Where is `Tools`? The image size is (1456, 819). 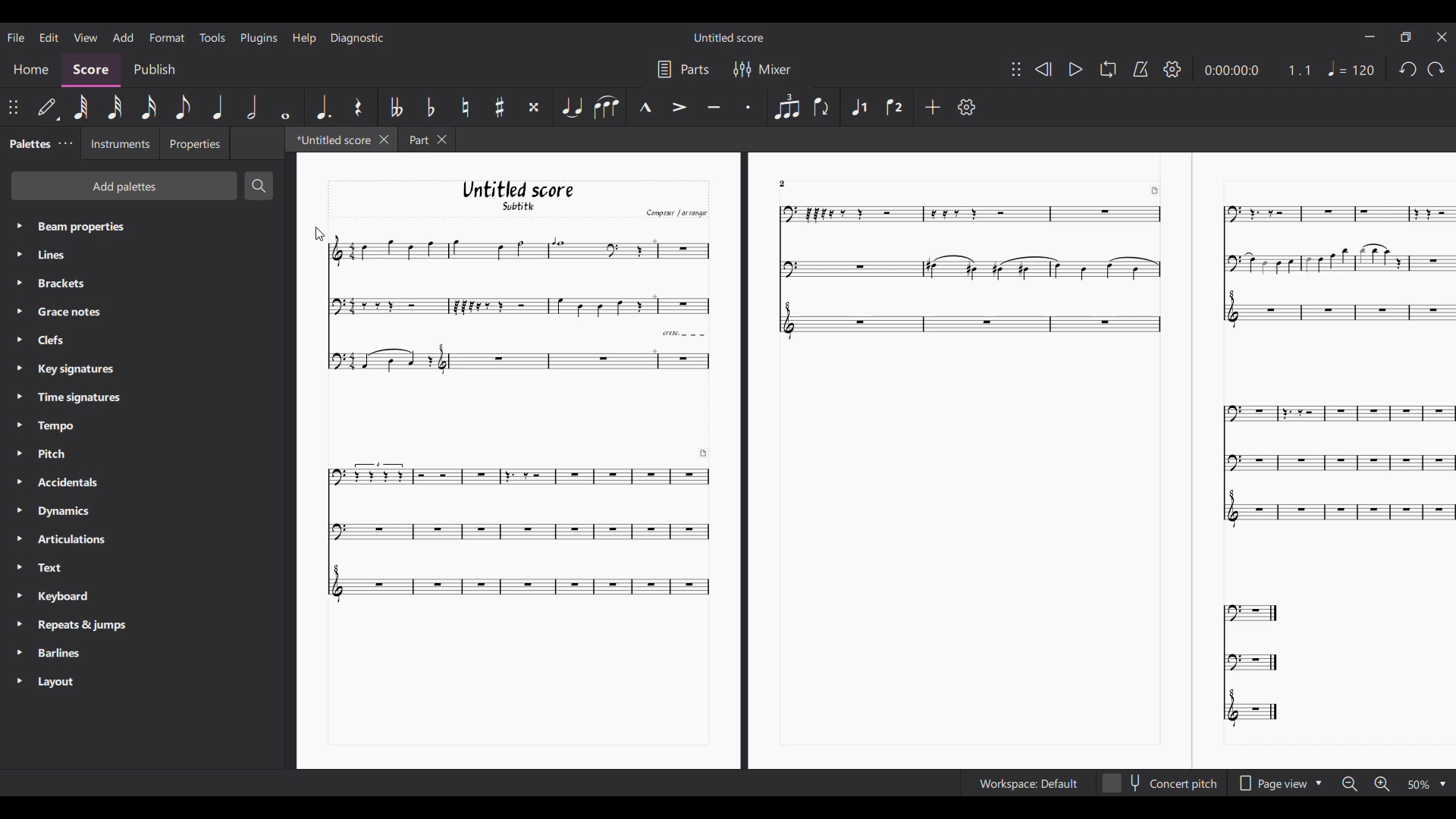
Tools is located at coordinates (212, 37).